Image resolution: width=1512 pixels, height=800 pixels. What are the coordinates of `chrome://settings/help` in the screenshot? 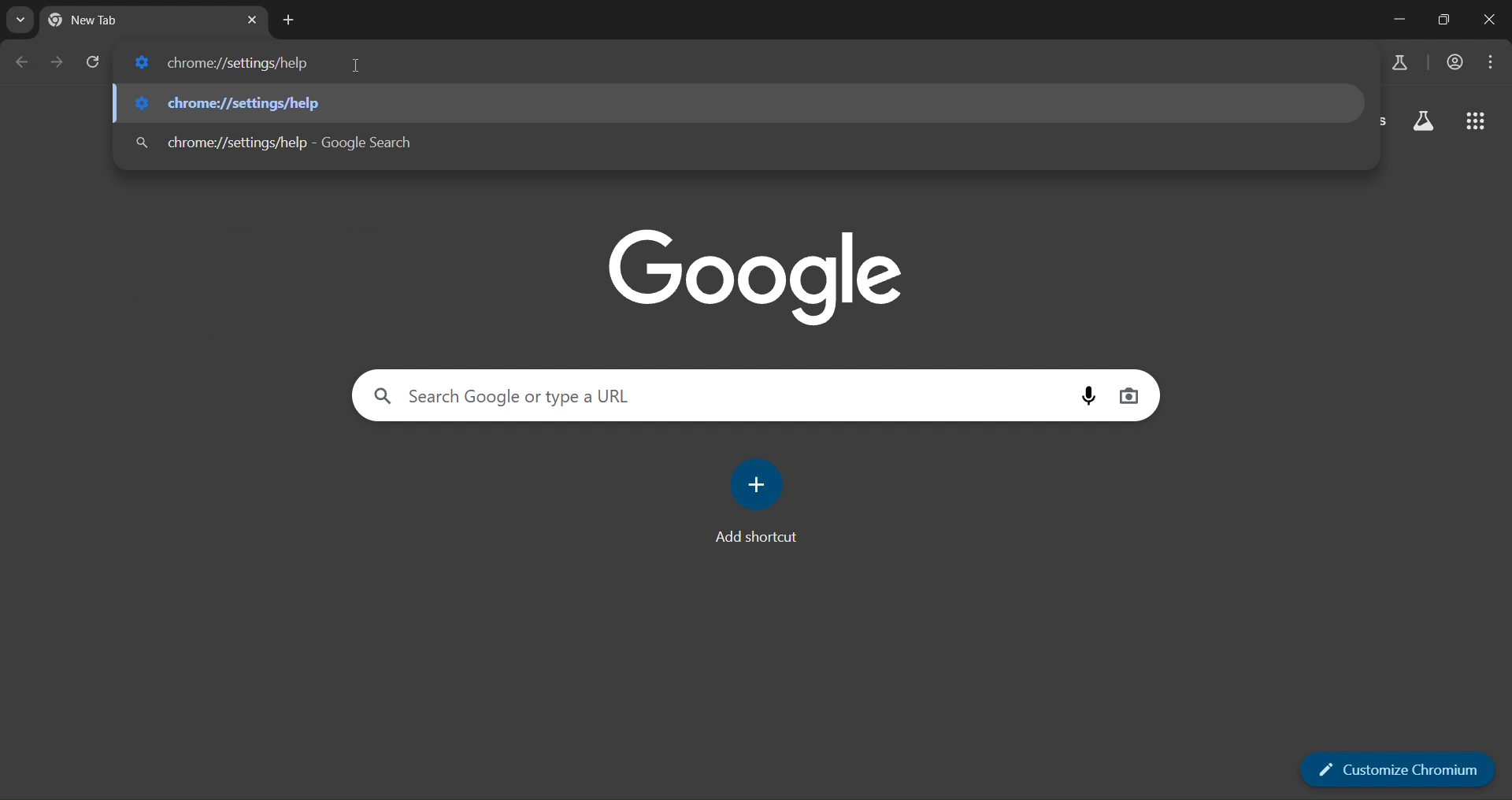 It's located at (231, 62).